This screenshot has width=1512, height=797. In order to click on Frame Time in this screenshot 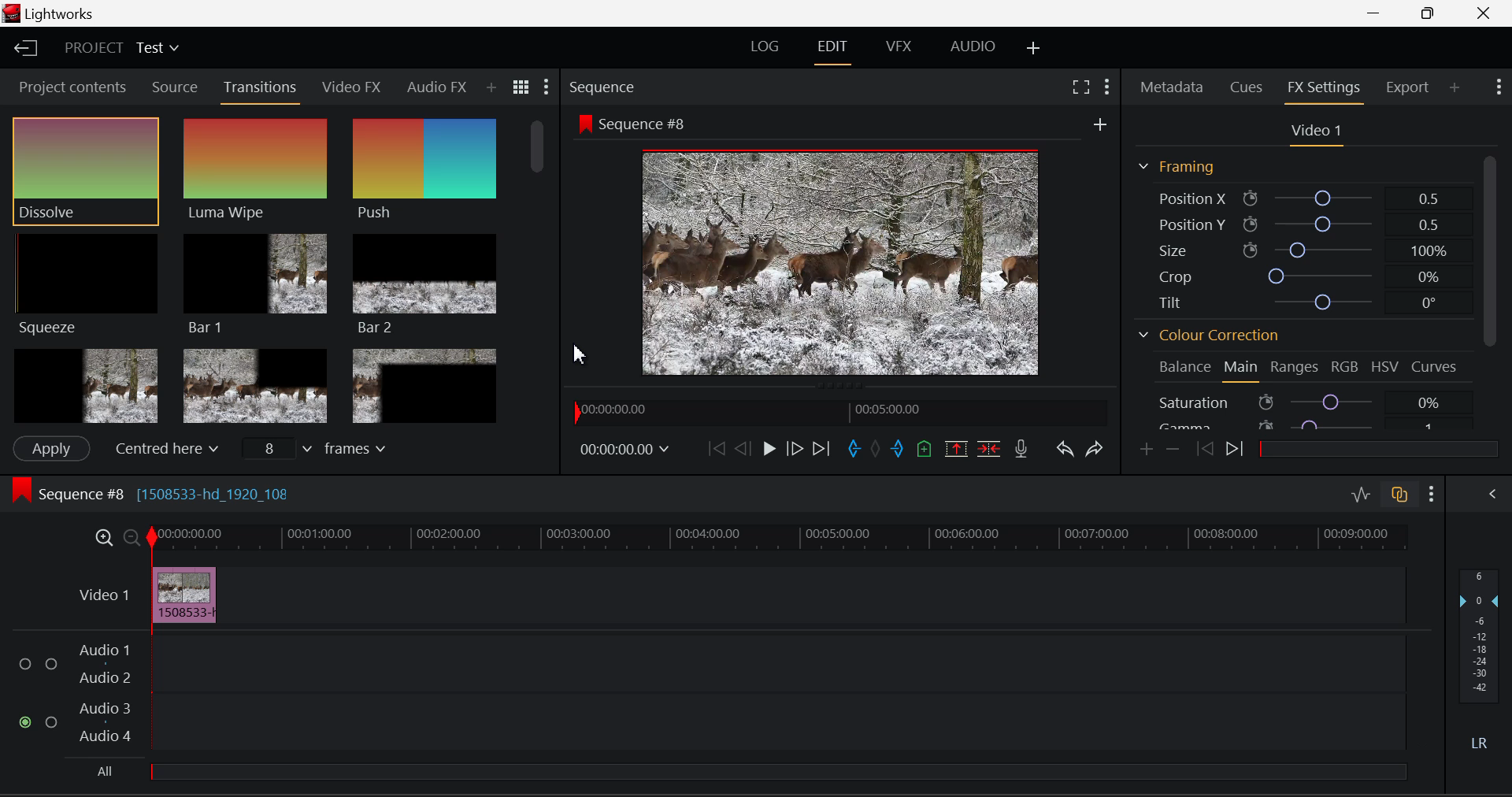, I will do `click(625, 447)`.